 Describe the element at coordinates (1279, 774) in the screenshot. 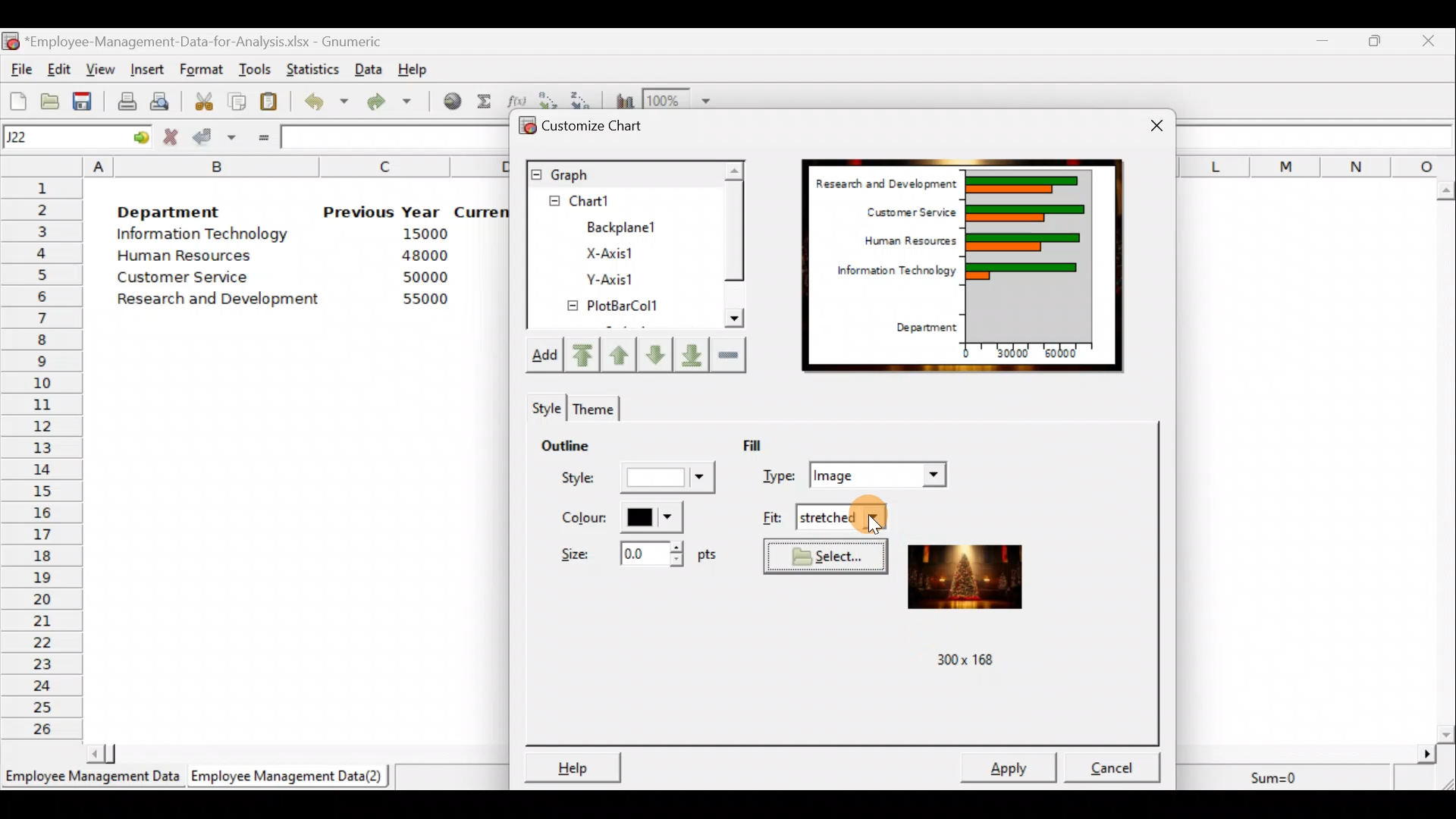

I see `Sum=0` at that location.